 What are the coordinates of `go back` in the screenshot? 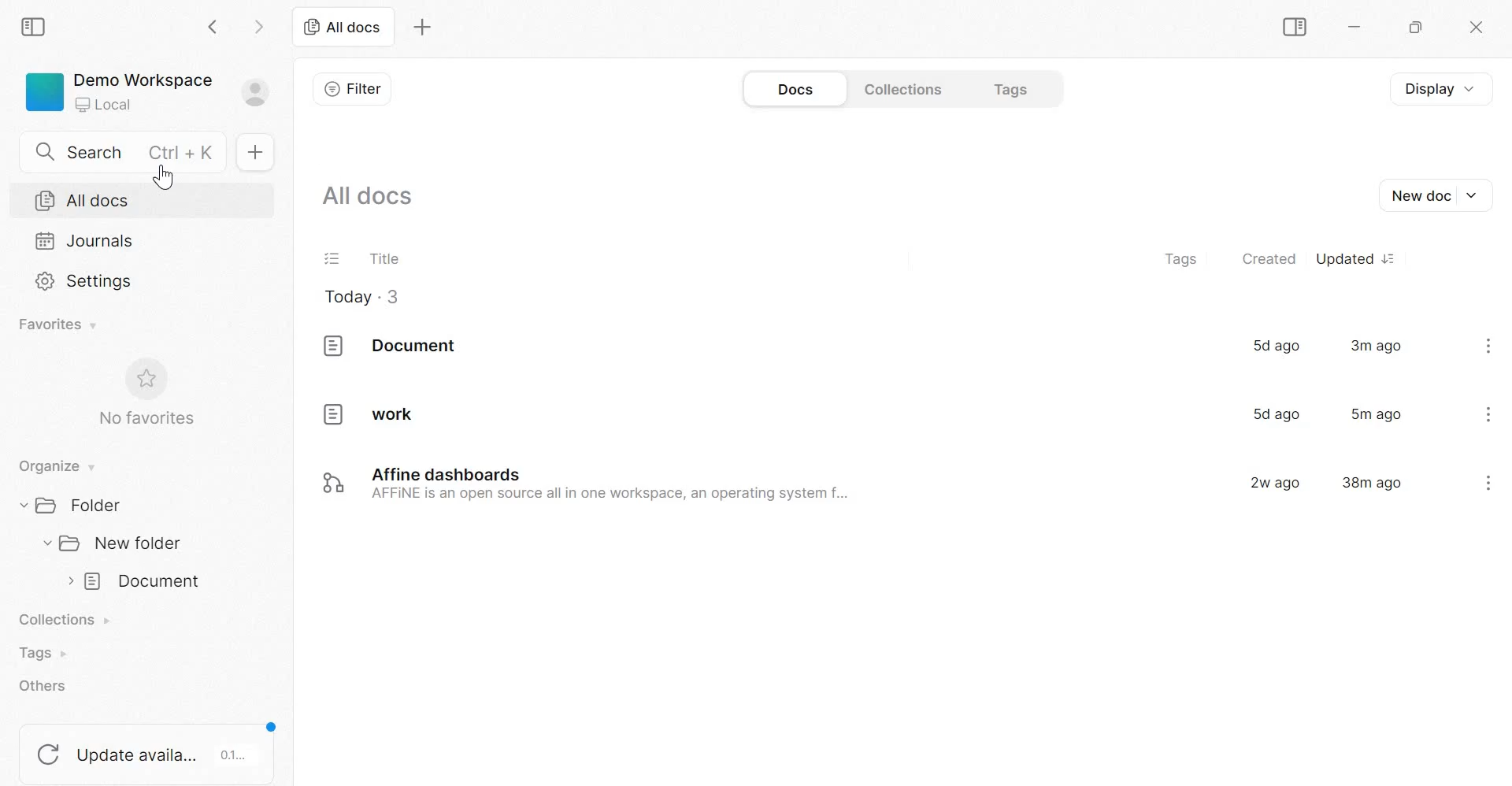 It's located at (214, 25).